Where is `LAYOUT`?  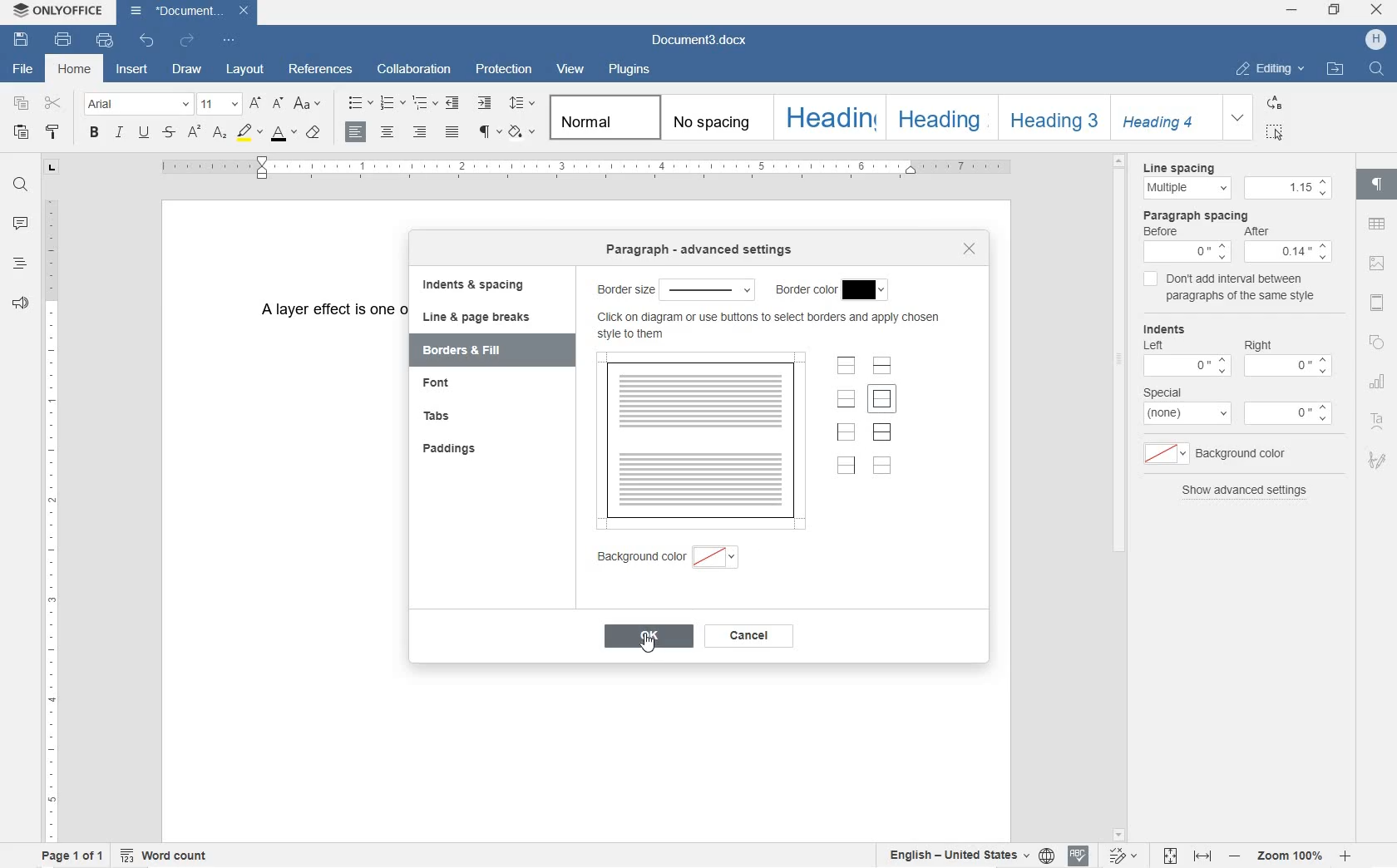
LAYOUT is located at coordinates (243, 71).